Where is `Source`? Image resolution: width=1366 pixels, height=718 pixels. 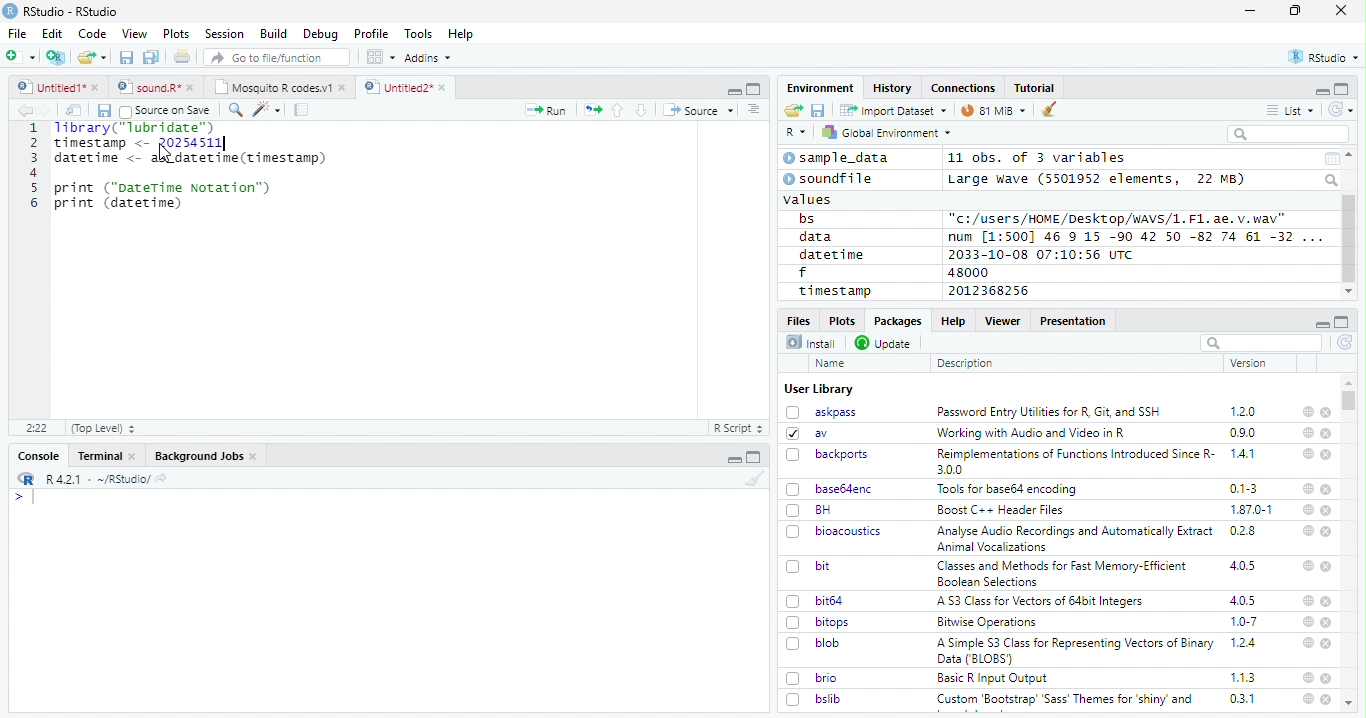 Source is located at coordinates (698, 112).